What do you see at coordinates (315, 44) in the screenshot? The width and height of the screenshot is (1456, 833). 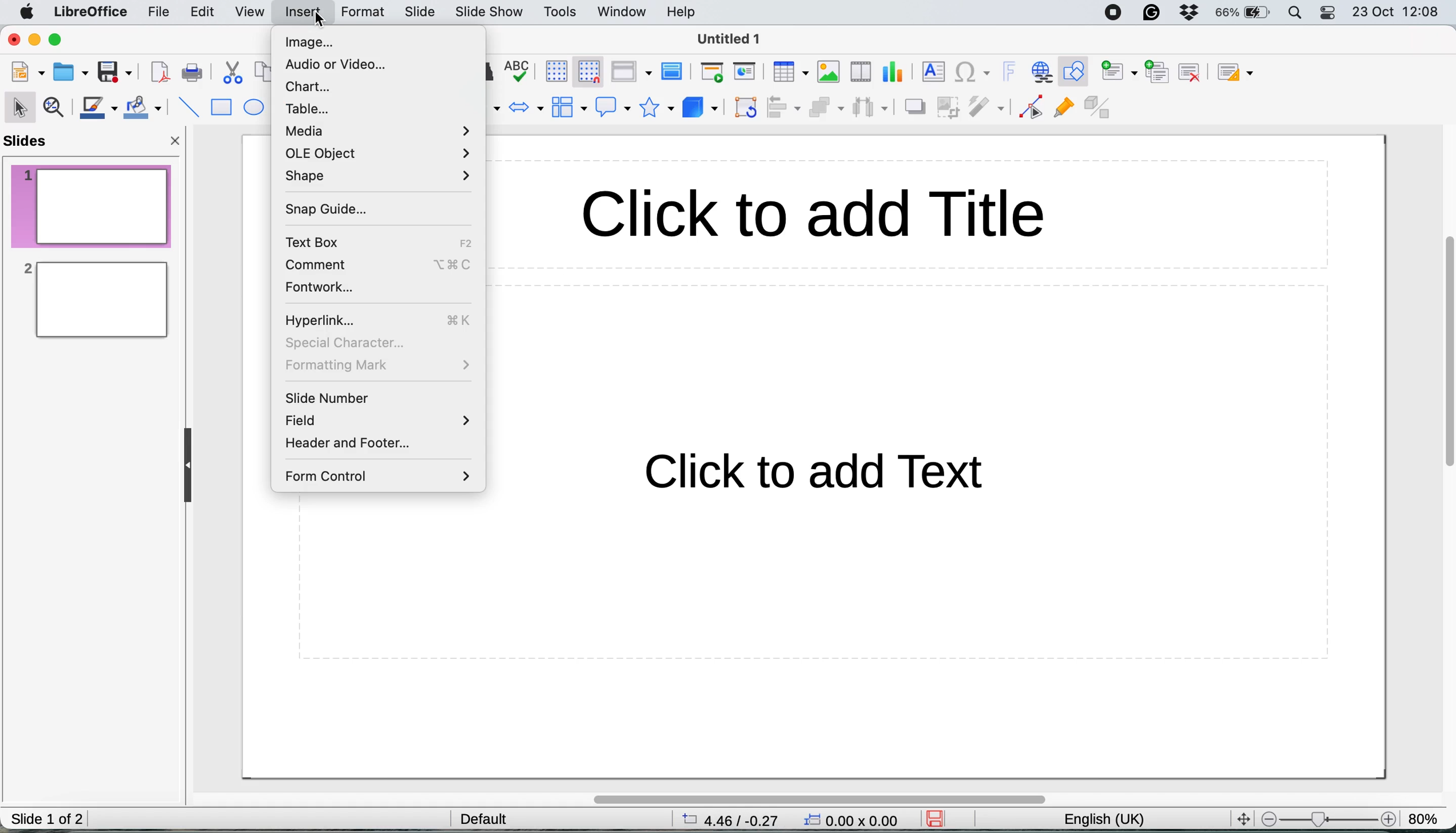 I see `image` at bounding box center [315, 44].